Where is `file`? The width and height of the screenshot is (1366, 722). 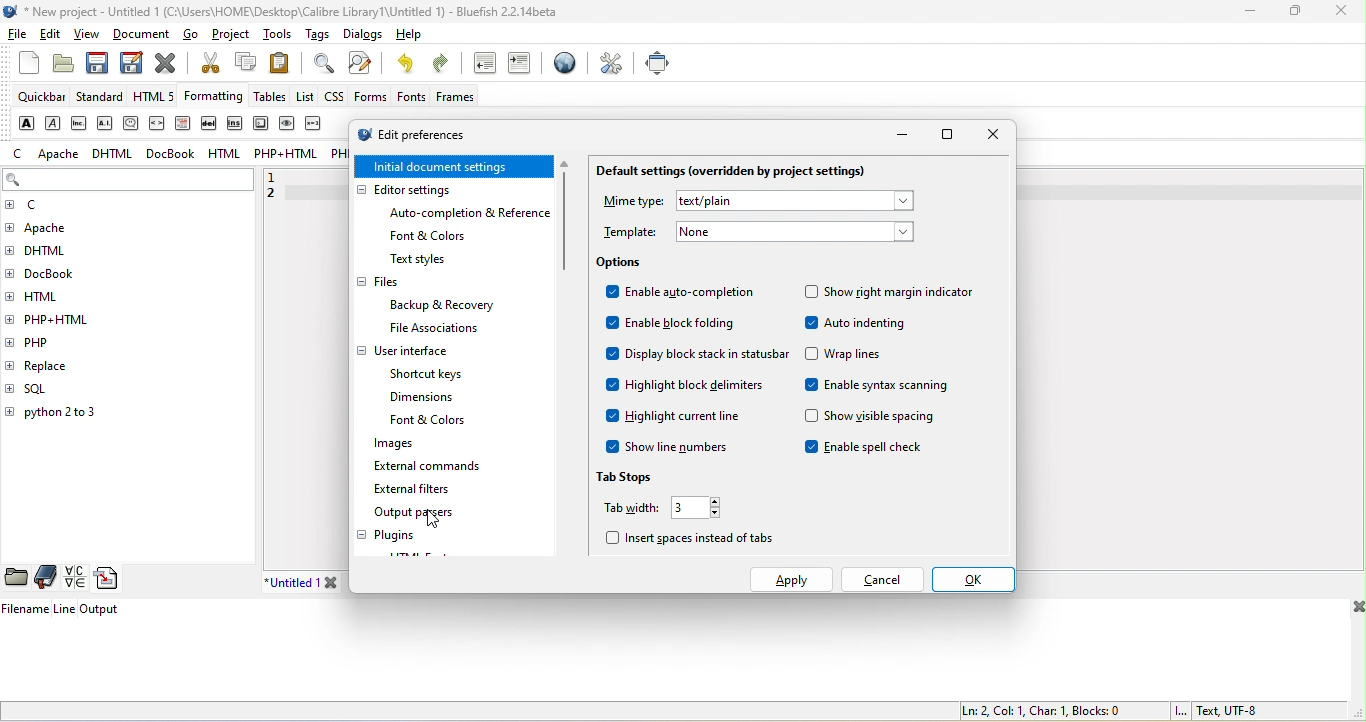 file is located at coordinates (18, 39).